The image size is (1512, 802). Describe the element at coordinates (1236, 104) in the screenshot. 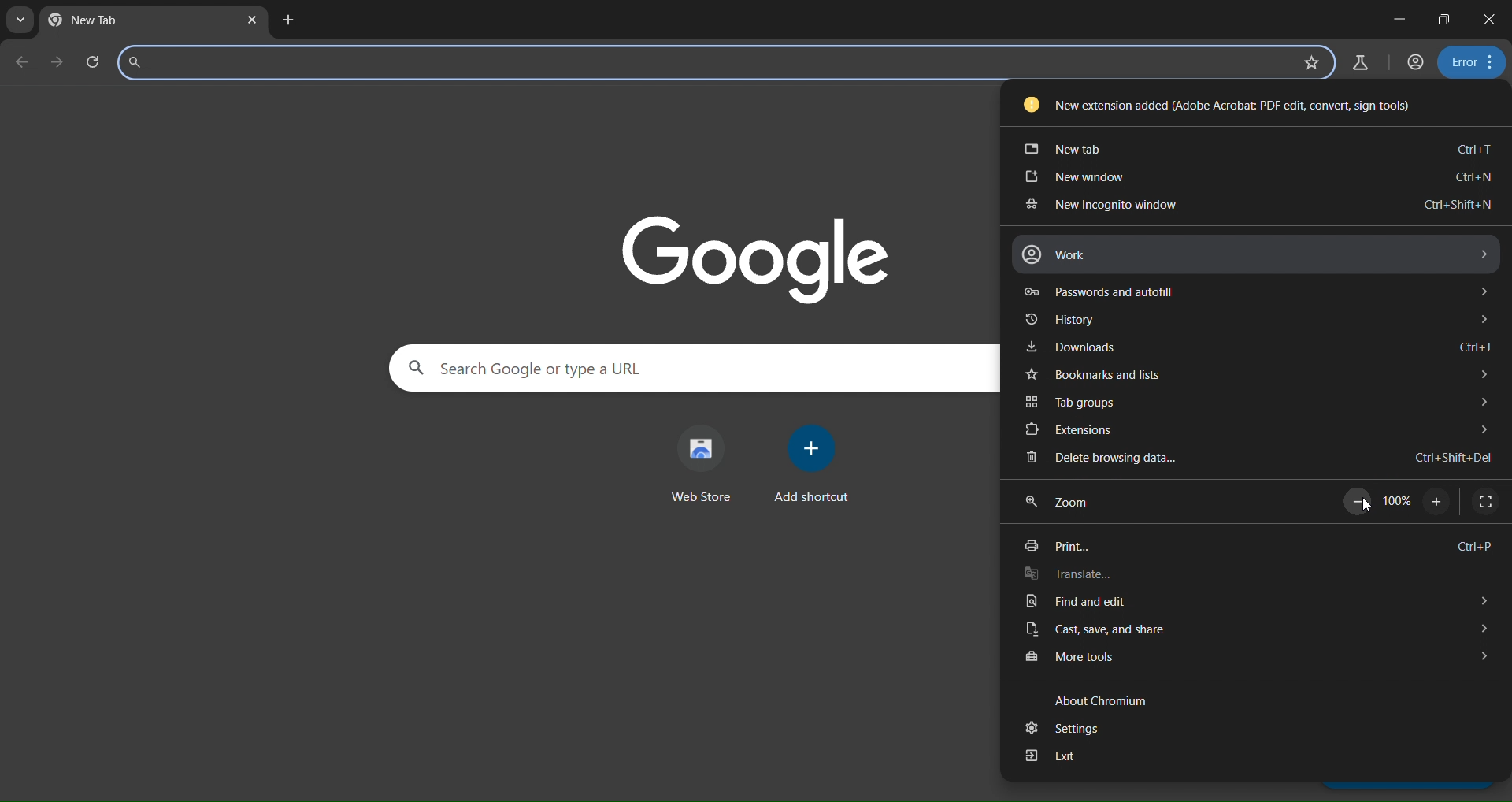

I see `new extension added` at that location.